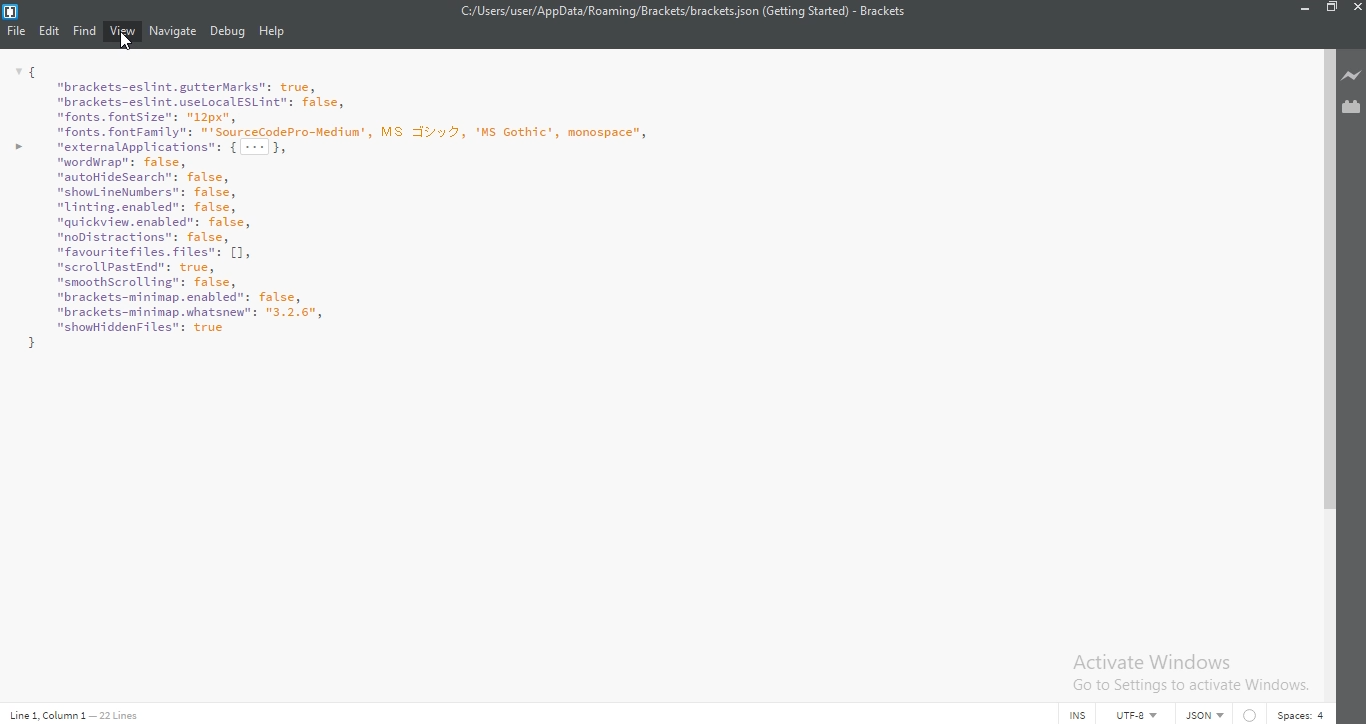 Image resolution: width=1366 pixels, height=724 pixels. Describe the element at coordinates (1082, 715) in the screenshot. I see `INS` at that location.